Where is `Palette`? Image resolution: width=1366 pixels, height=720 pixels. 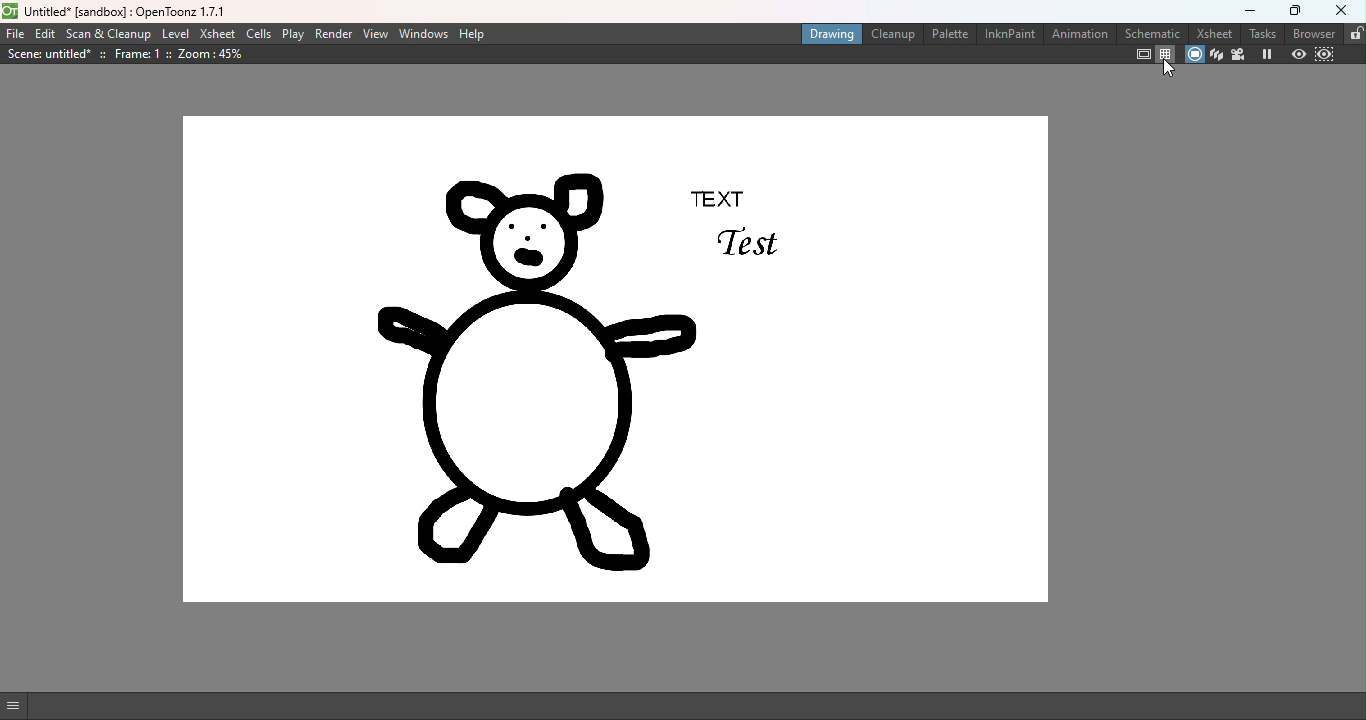
Palette is located at coordinates (947, 35).